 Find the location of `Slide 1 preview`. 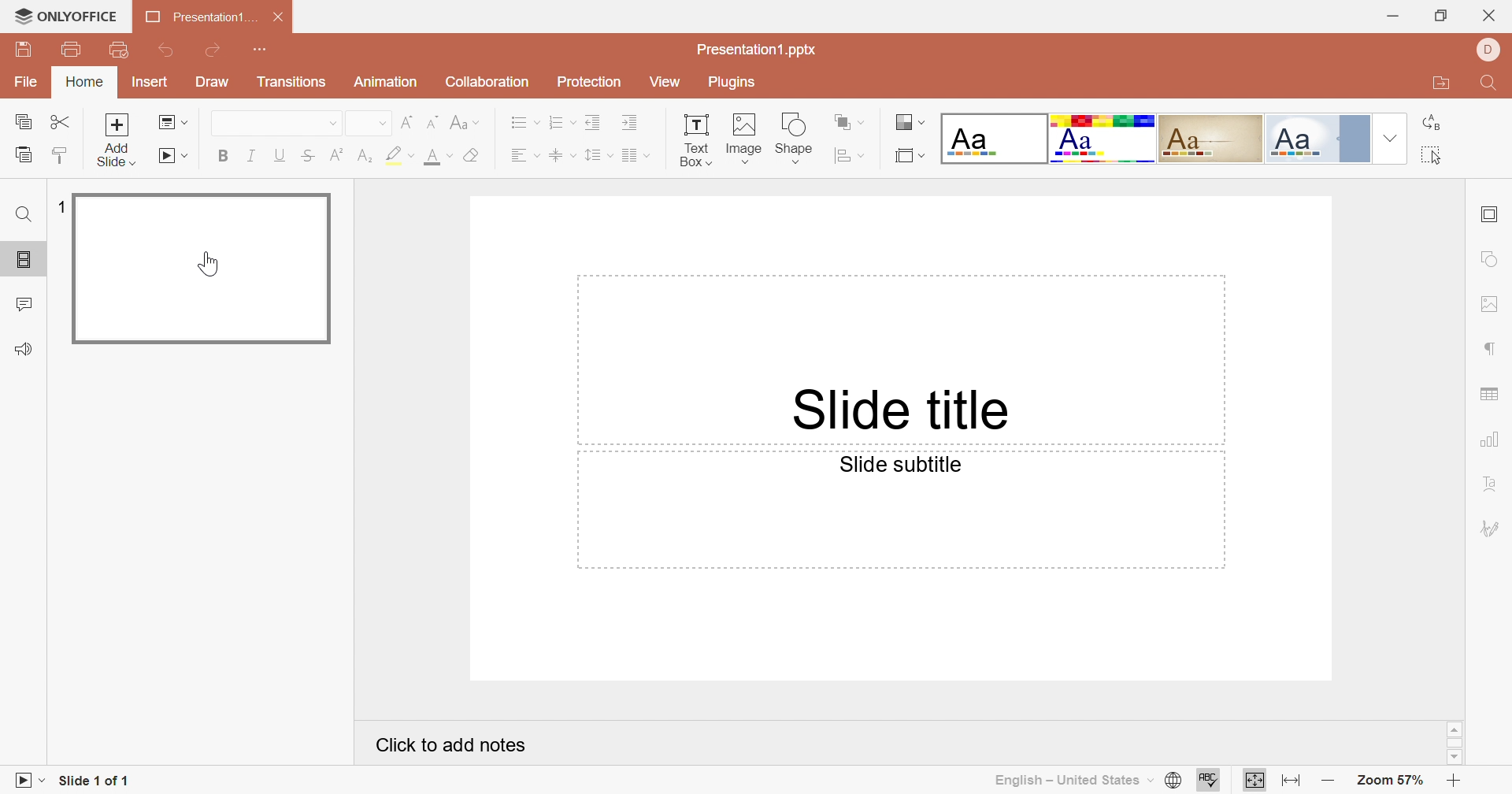

Slide 1 preview is located at coordinates (205, 268).